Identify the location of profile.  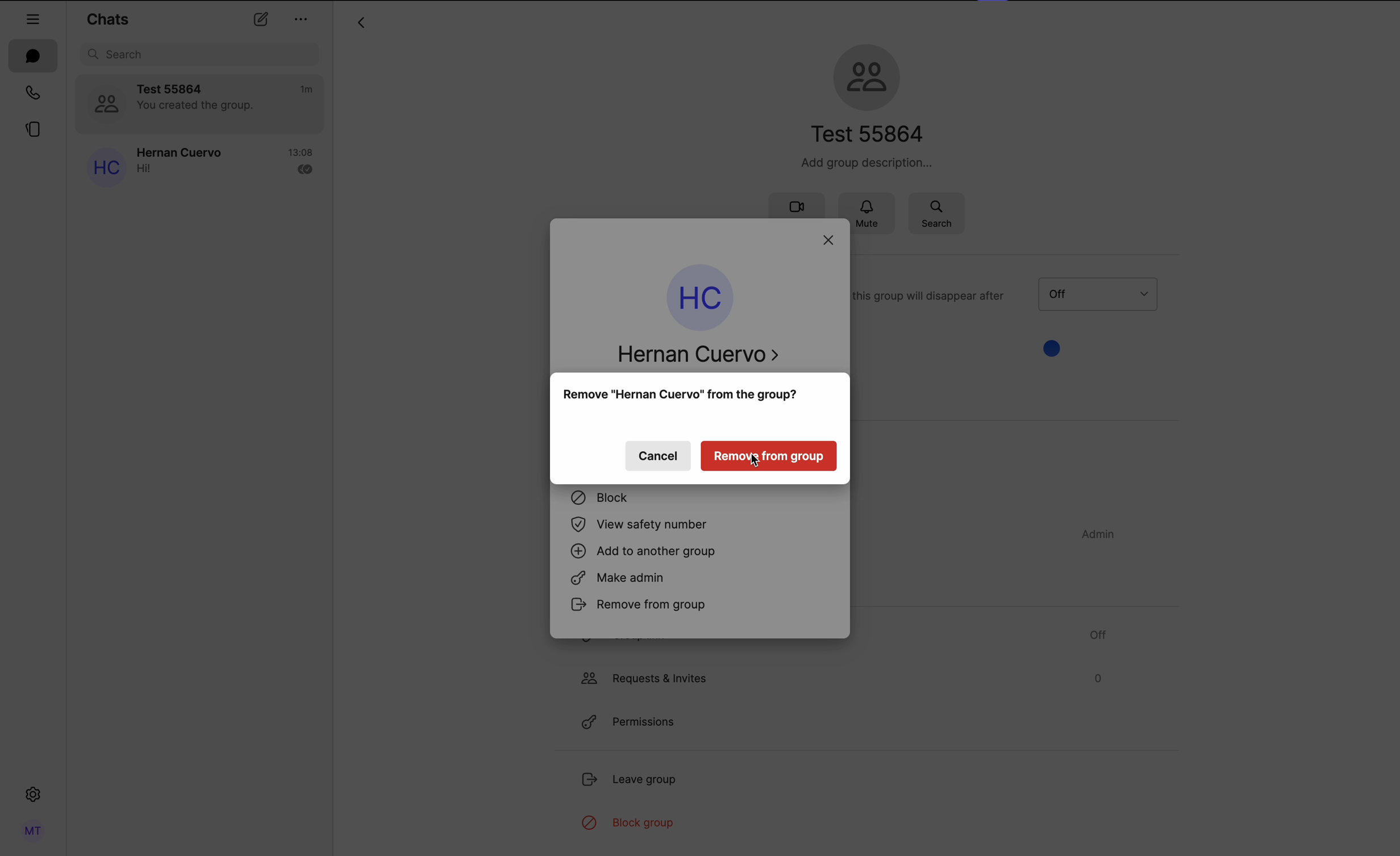
(31, 831).